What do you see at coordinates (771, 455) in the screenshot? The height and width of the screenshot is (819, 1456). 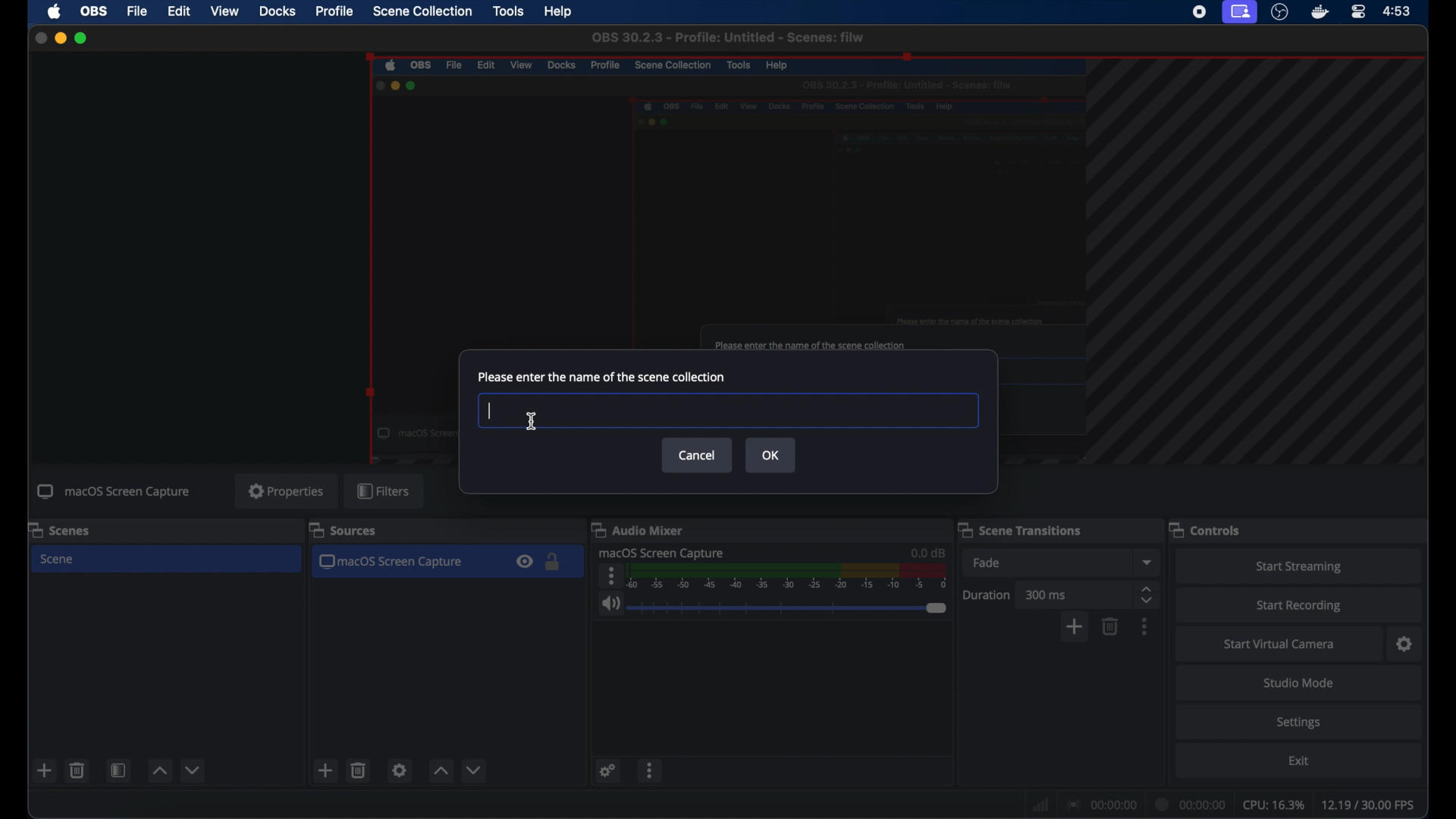 I see `ok` at bounding box center [771, 455].